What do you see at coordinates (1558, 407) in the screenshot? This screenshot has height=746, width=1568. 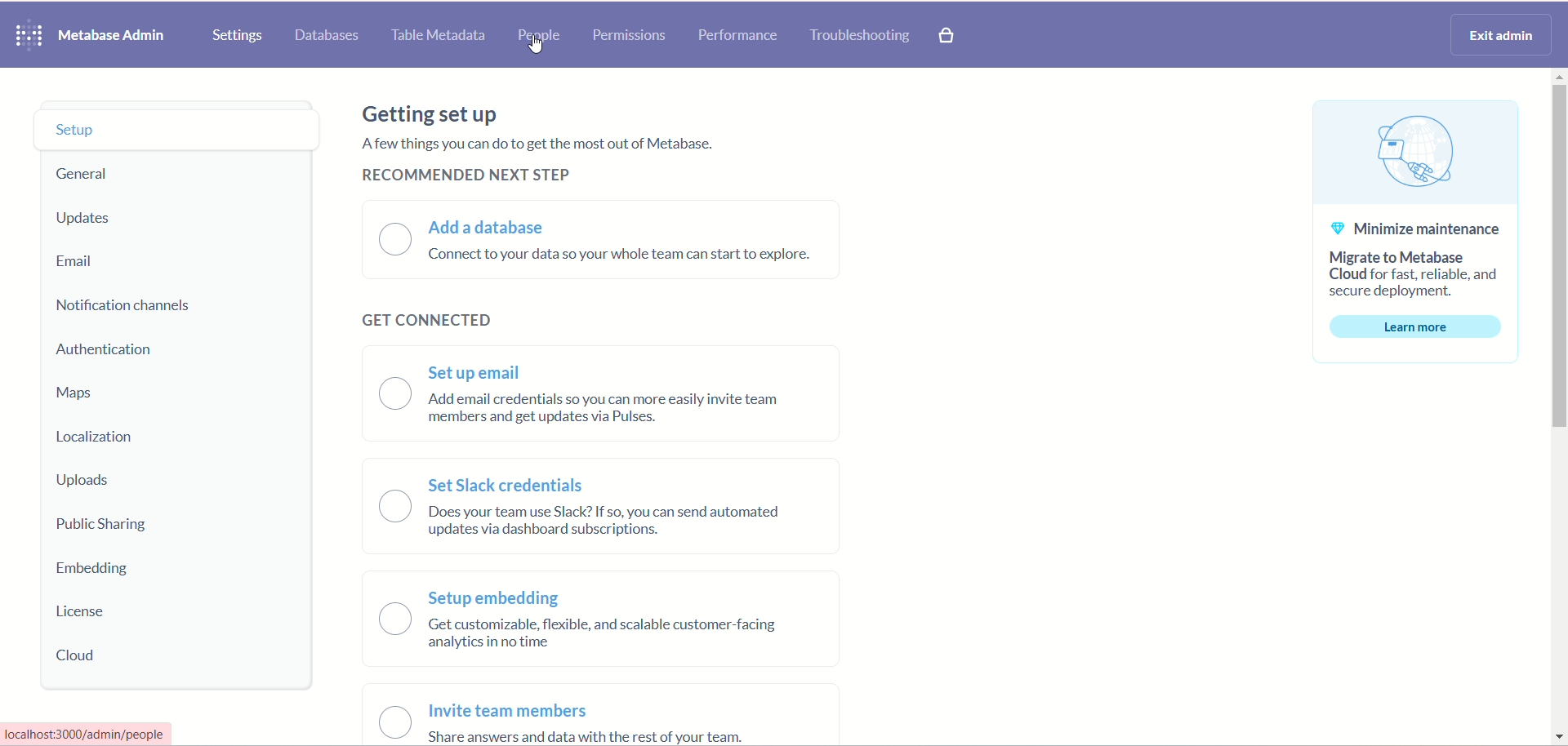 I see `vertical scroll bar` at bounding box center [1558, 407].